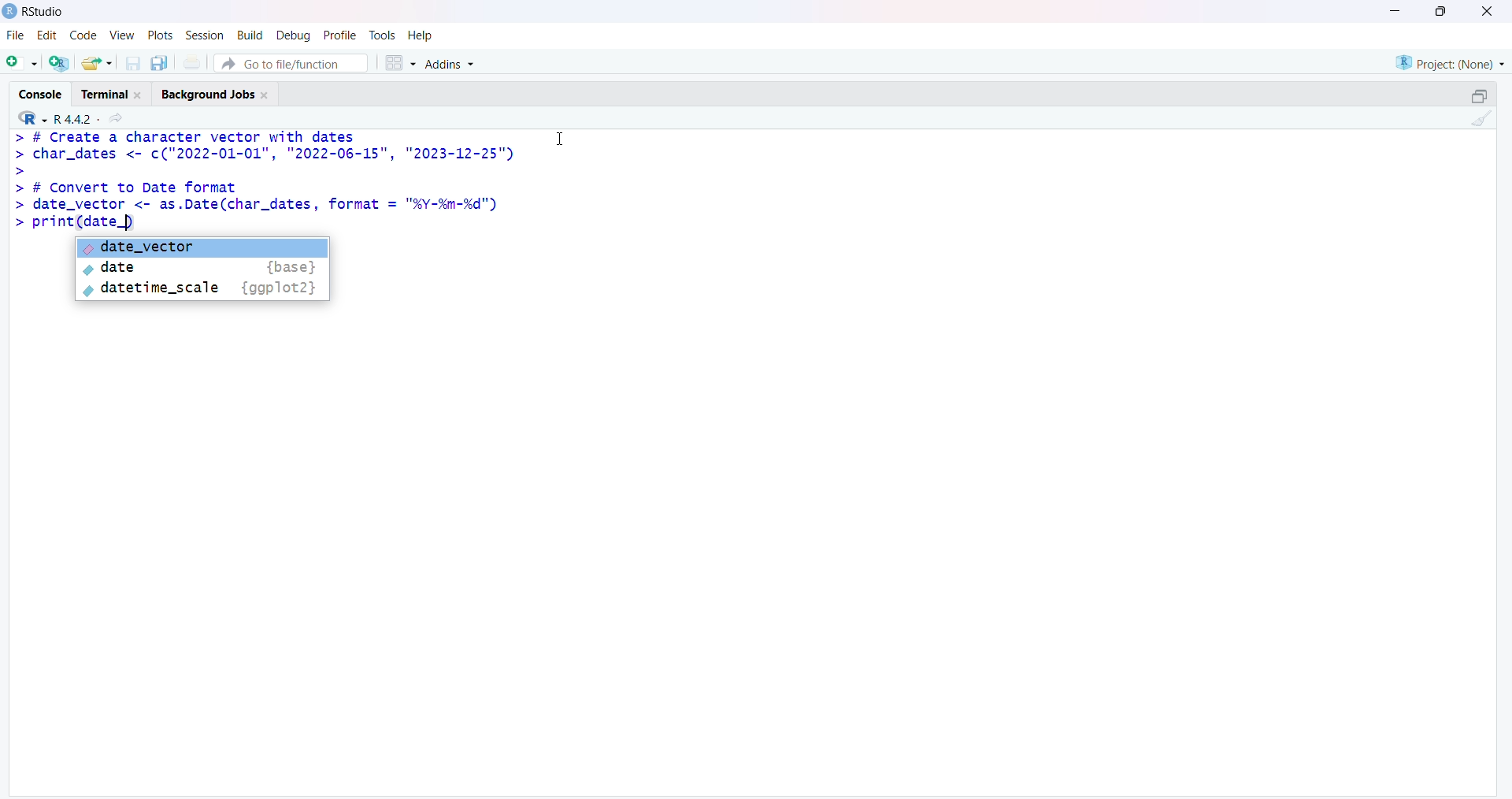 The width and height of the screenshot is (1512, 799). What do you see at coordinates (400, 61) in the screenshot?
I see `Workspace panes` at bounding box center [400, 61].